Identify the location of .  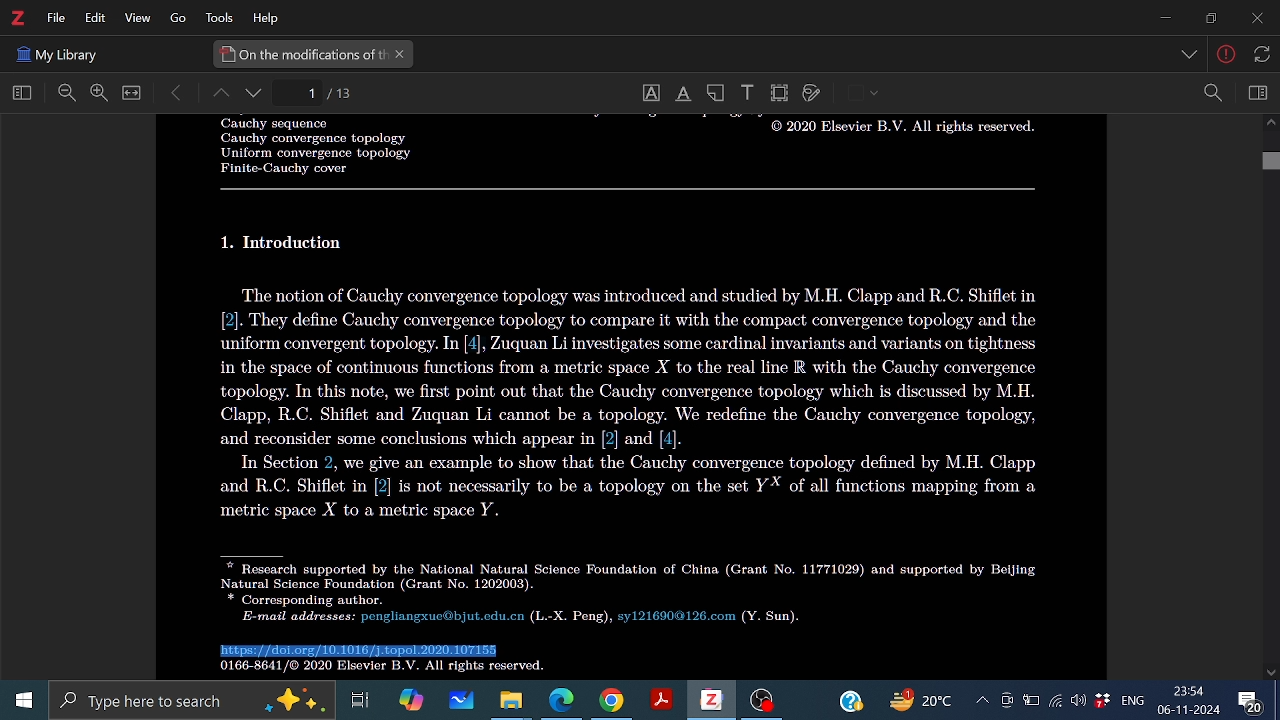
(625, 588).